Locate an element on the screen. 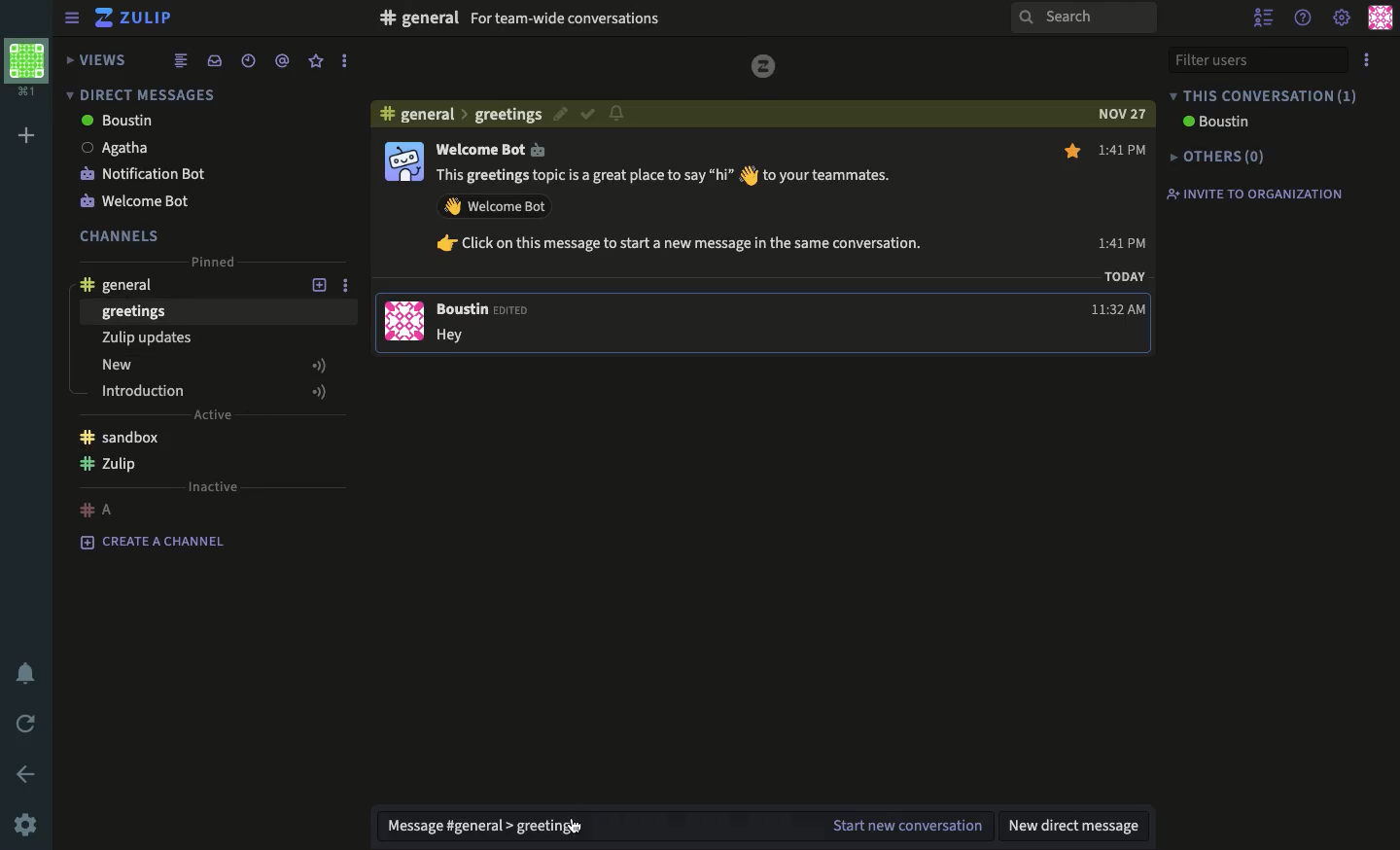 The width and height of the screenshot is (1400, 850). boustin is located at coordinates (1213, 122).